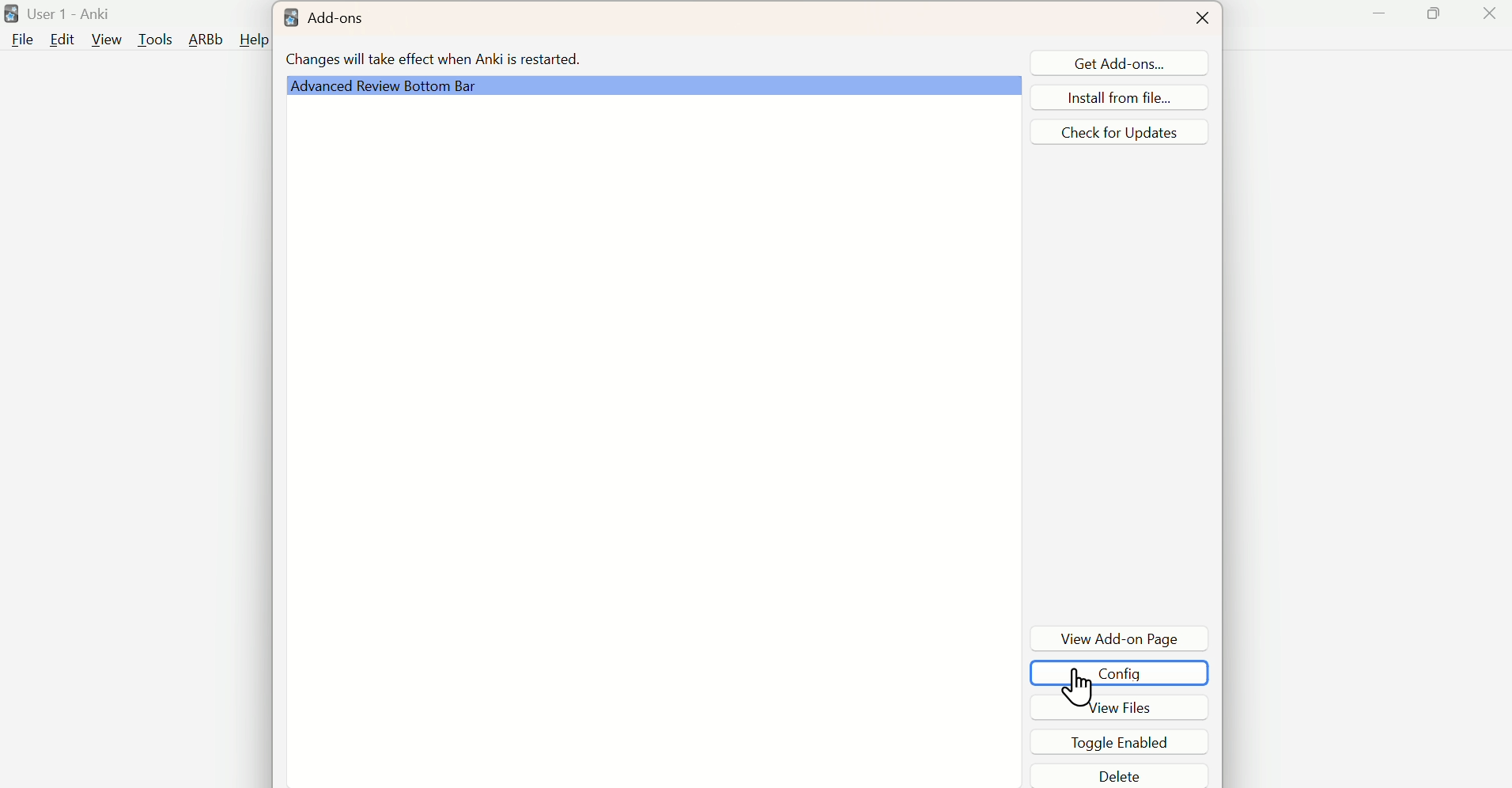 The image size is (1512, 788). I want to click on User 1 - Anki, so click(70, 14).